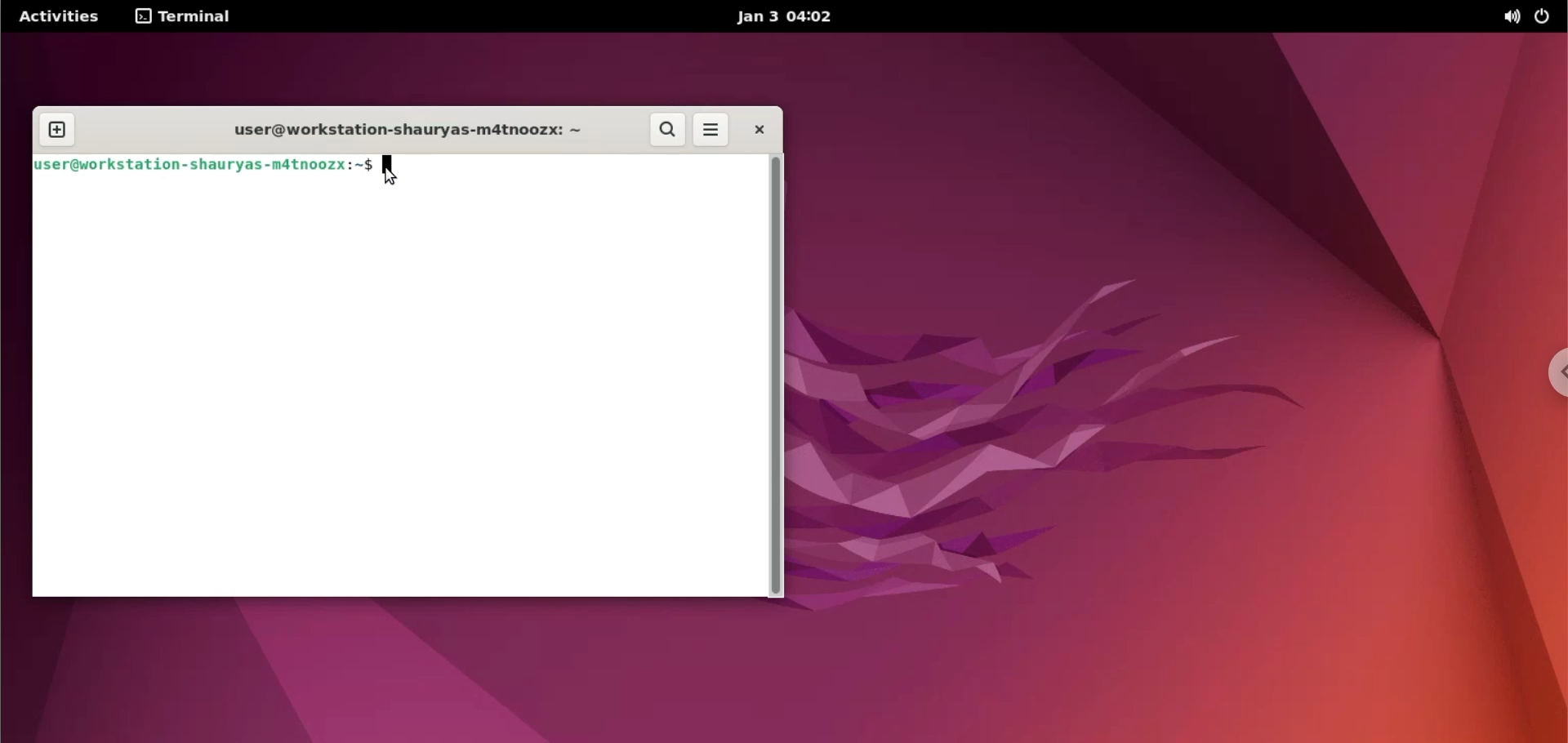 Image resolution: width=1568 pixels, height=743 pixels. What do you see at coordinates (775, 376) in the screenshot?
I see `scrollbar` at bounding box center [775, 376].